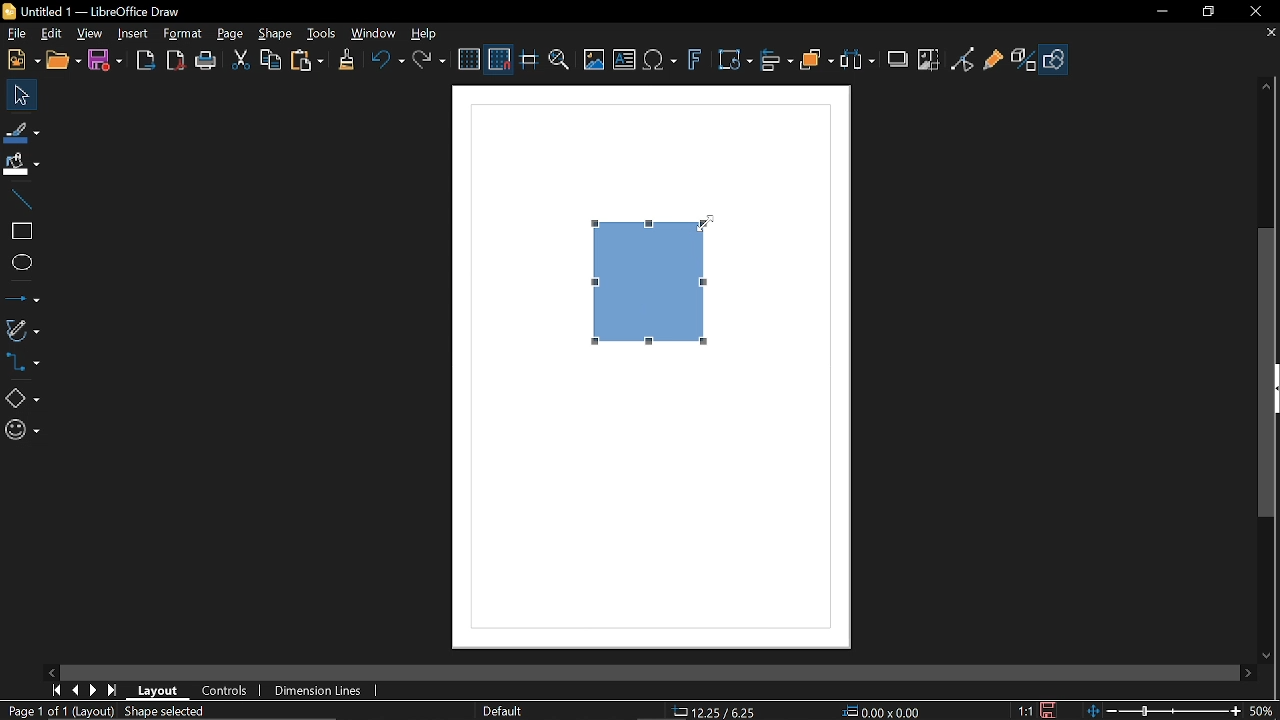 The width and height of the screenshot is (1280, 720). Describe the element at coordinates (22, 330) in the screenshot. I see `Curves and polygons` at that location.